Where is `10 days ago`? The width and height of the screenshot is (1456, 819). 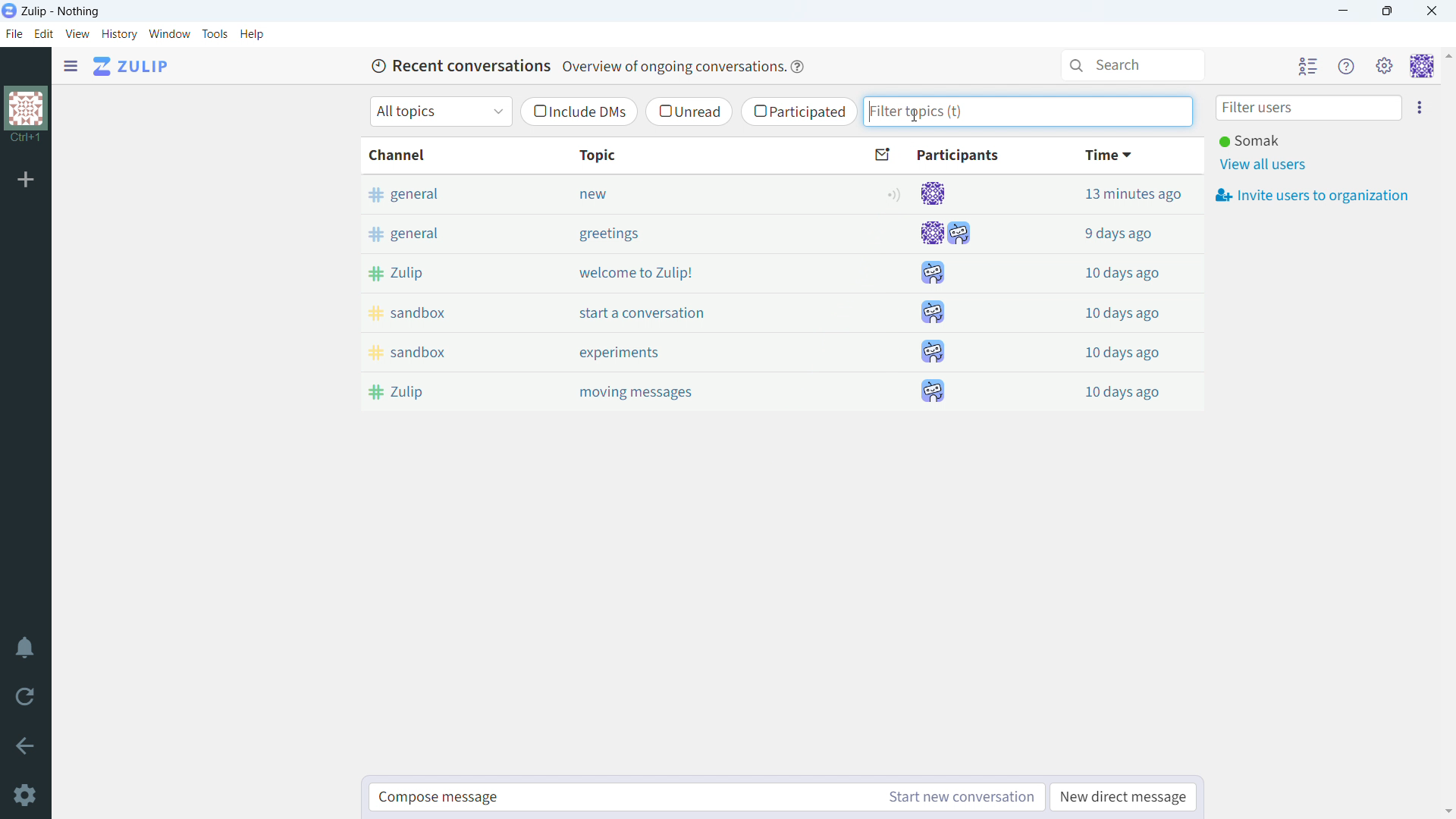
10 days ago is located at coordinates (1106, 269).